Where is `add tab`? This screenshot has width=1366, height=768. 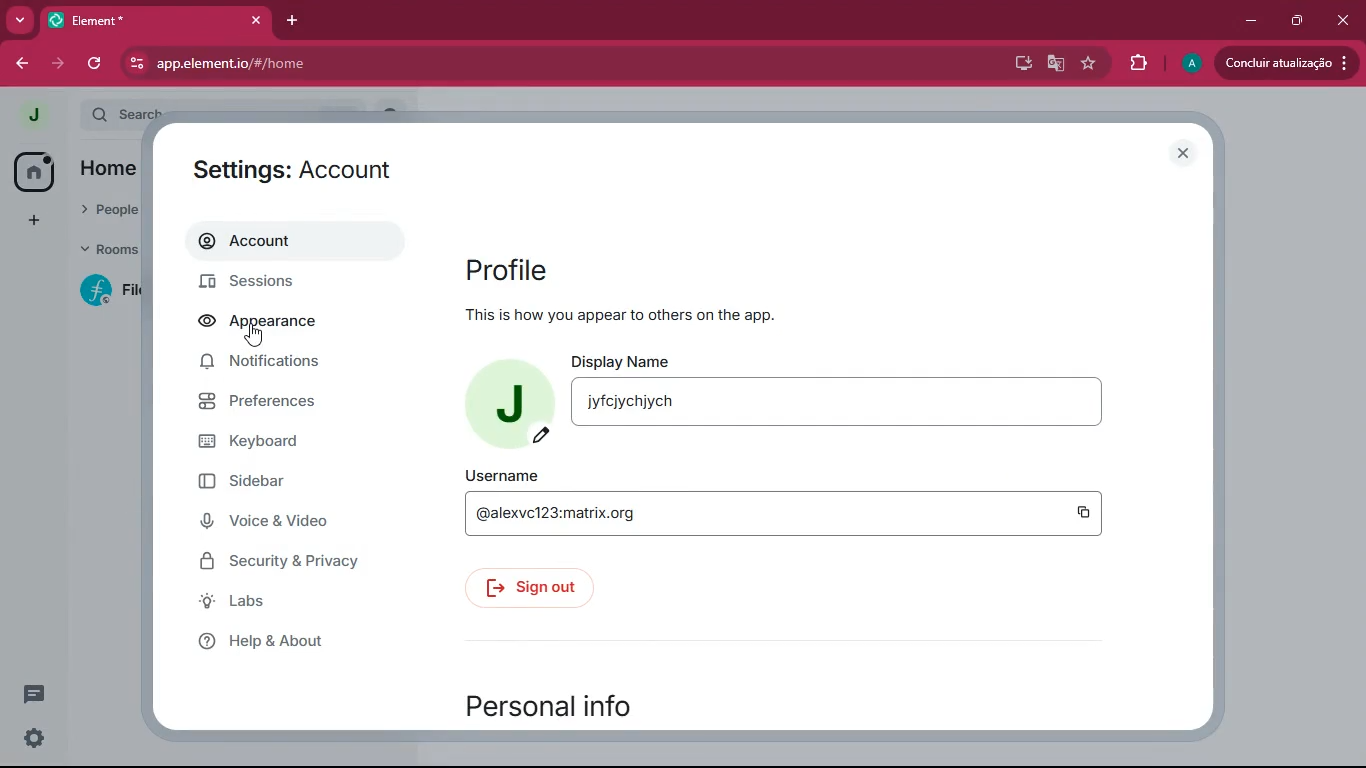 add tab is located at coordinates (297, 23).